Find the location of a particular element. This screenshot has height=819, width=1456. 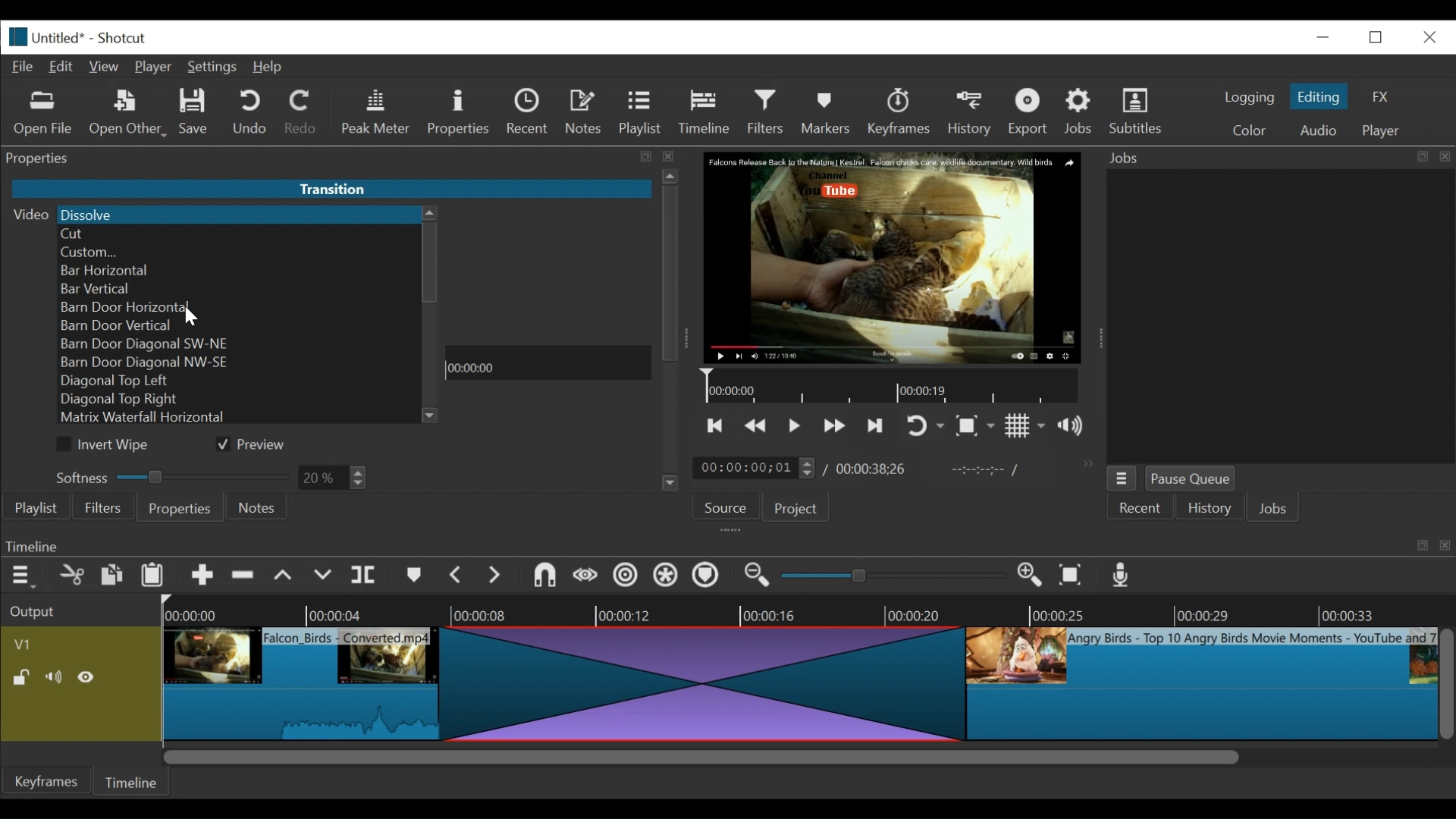

close is located at coordinates (1428, 36).